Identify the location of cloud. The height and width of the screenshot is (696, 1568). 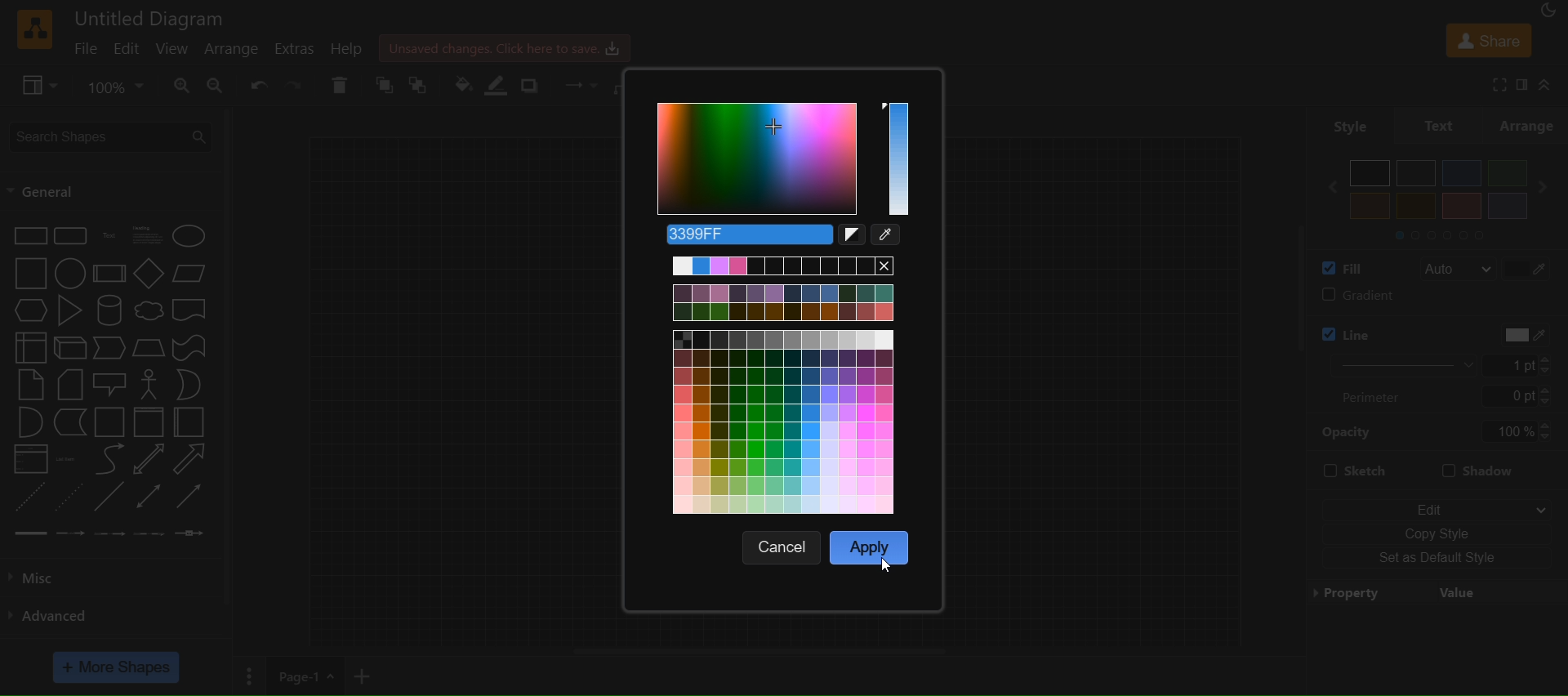
(149, 312).